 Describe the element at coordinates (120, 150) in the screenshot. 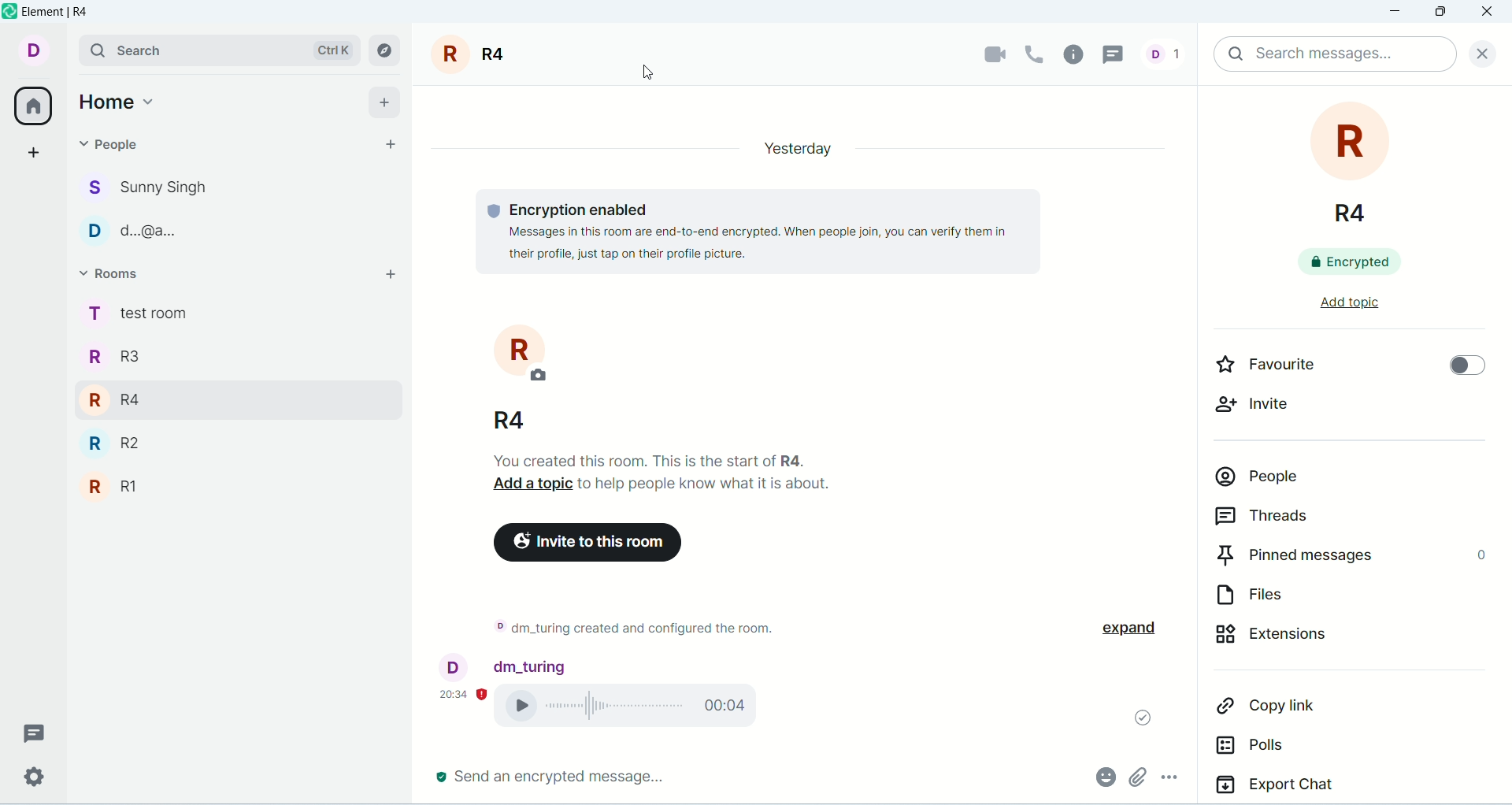

I see `people` at that location.